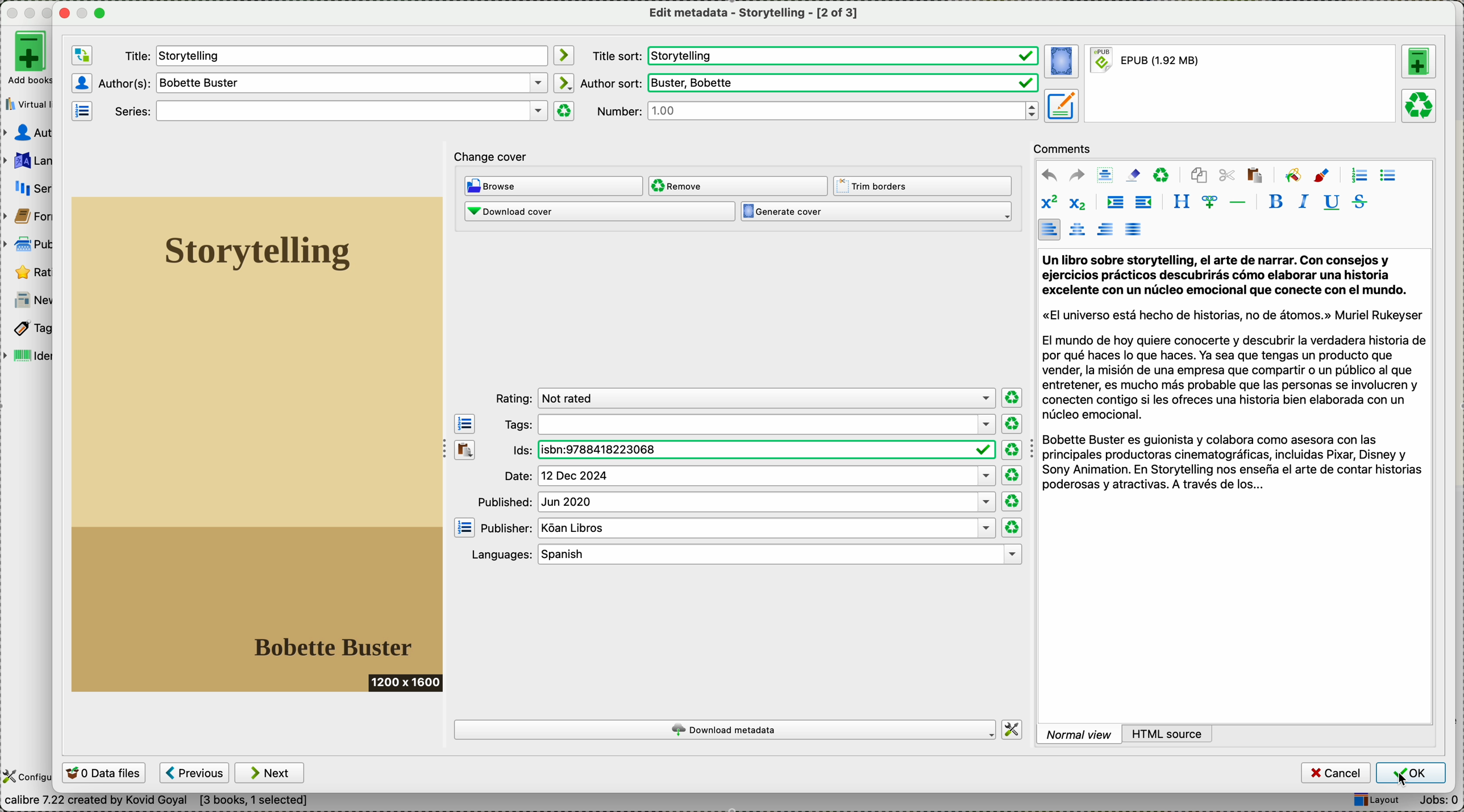 This screenshot has height=812, width=1464. What do you see at coordinates (1013, 729) in the screenshot?
I see `change how calibre downloads metadata` at bounding box center [1013, 729].